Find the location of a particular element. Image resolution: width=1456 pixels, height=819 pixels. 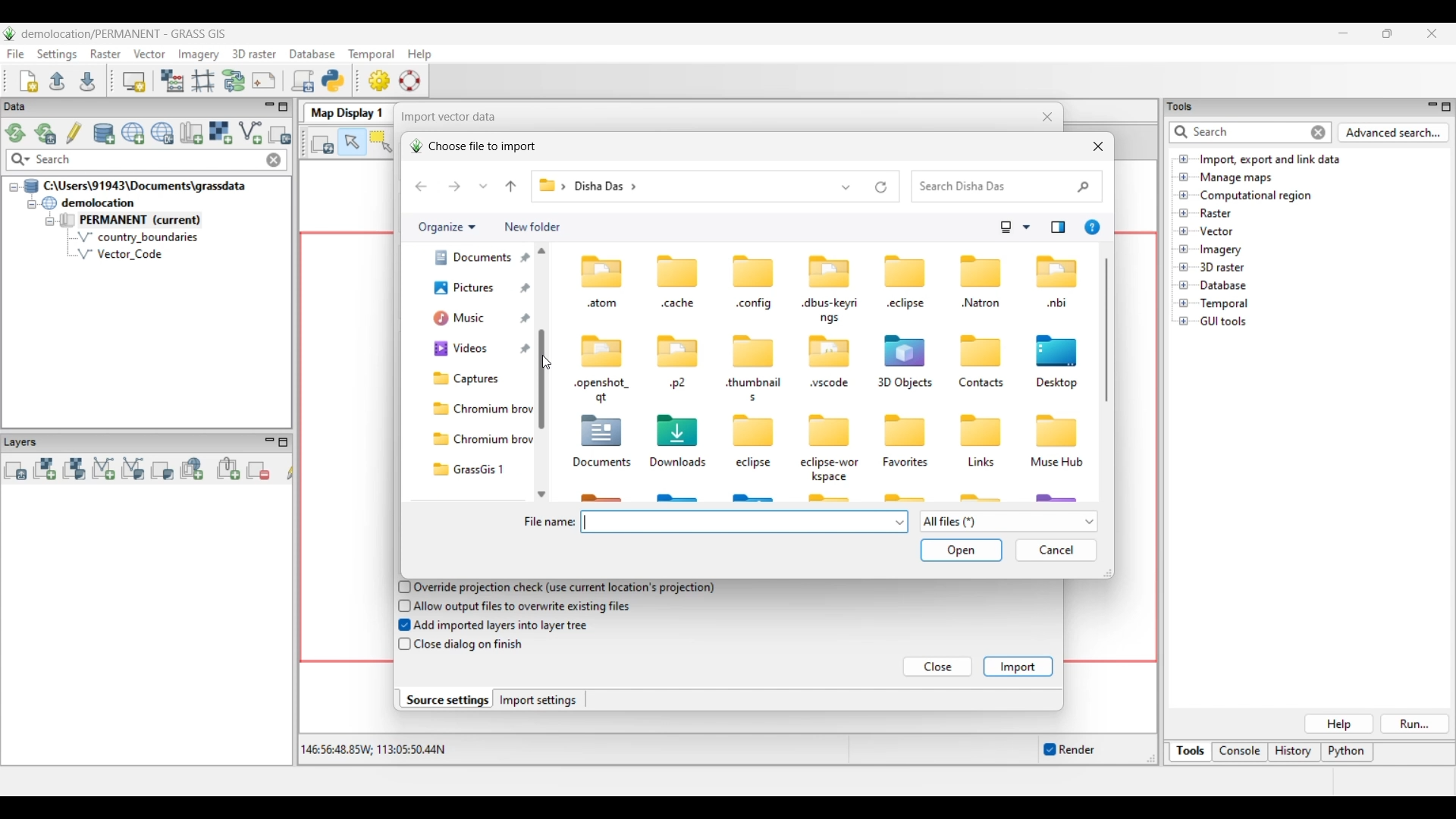

Add raster map layer is located at coordinates (45, 469).